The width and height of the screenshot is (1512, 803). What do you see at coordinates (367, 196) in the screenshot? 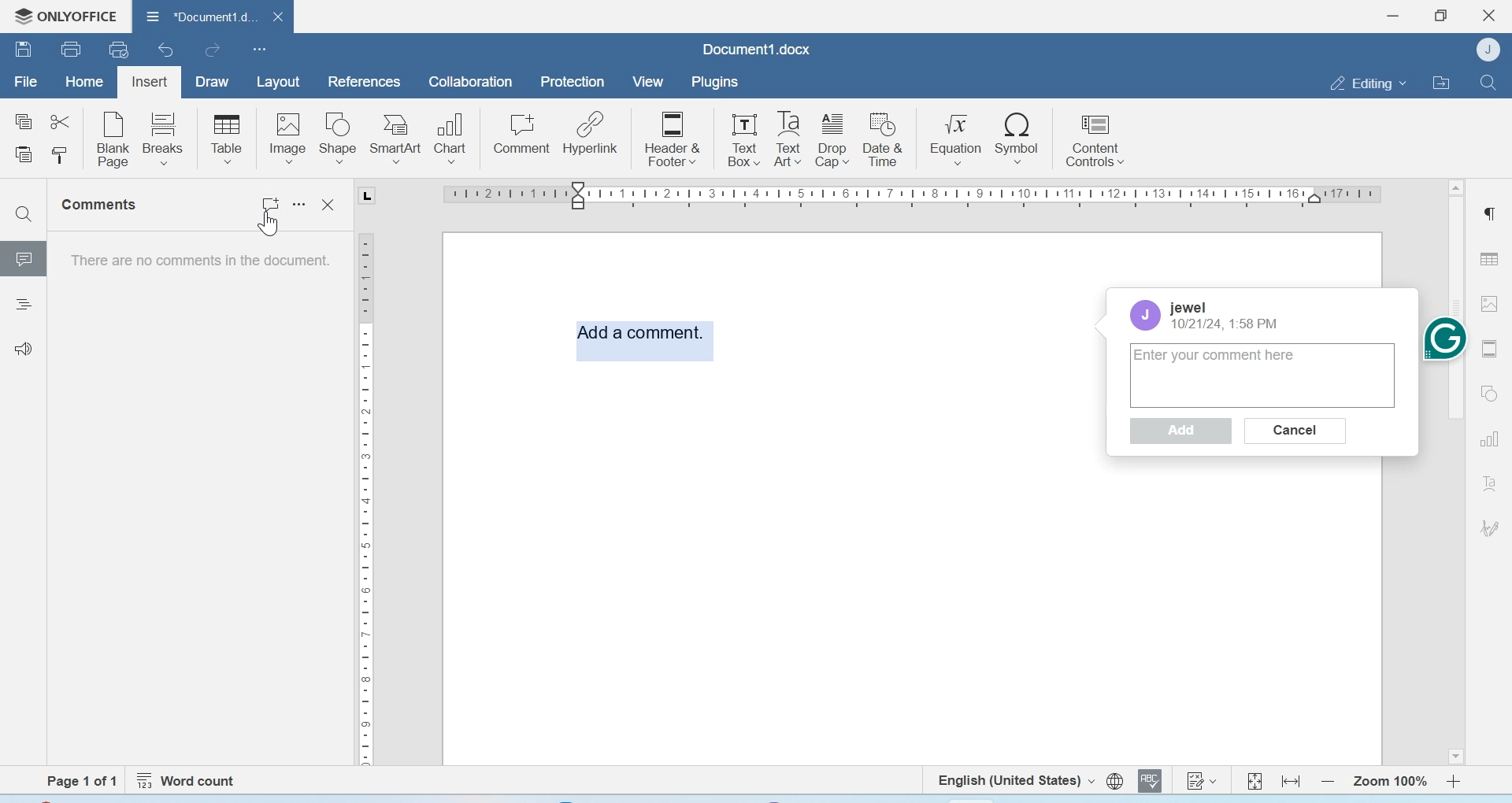
I see `tab stop` at bounding box center [367, 196].